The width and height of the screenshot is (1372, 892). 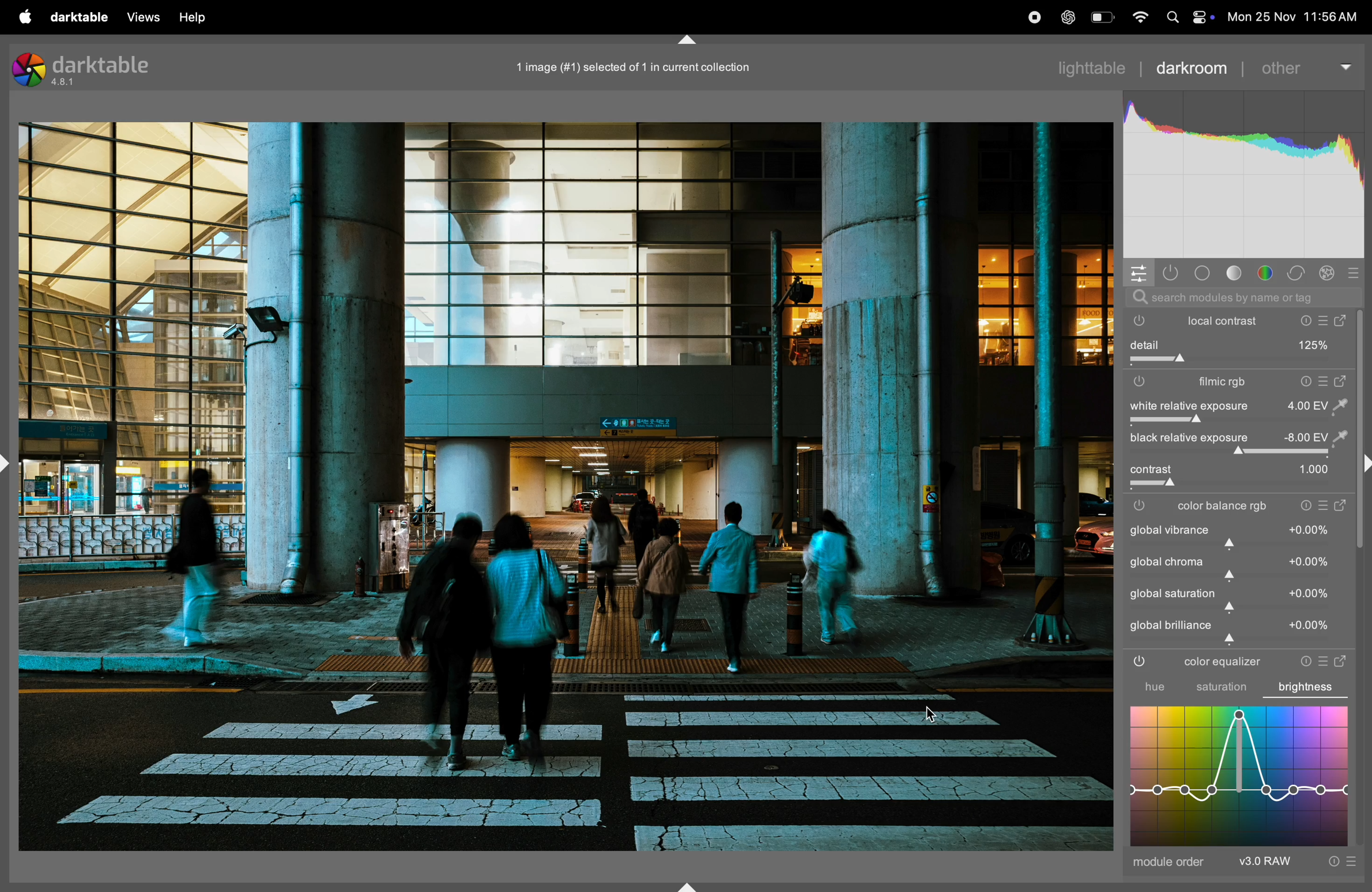 I want to click on help, so click(x=193, y=17).